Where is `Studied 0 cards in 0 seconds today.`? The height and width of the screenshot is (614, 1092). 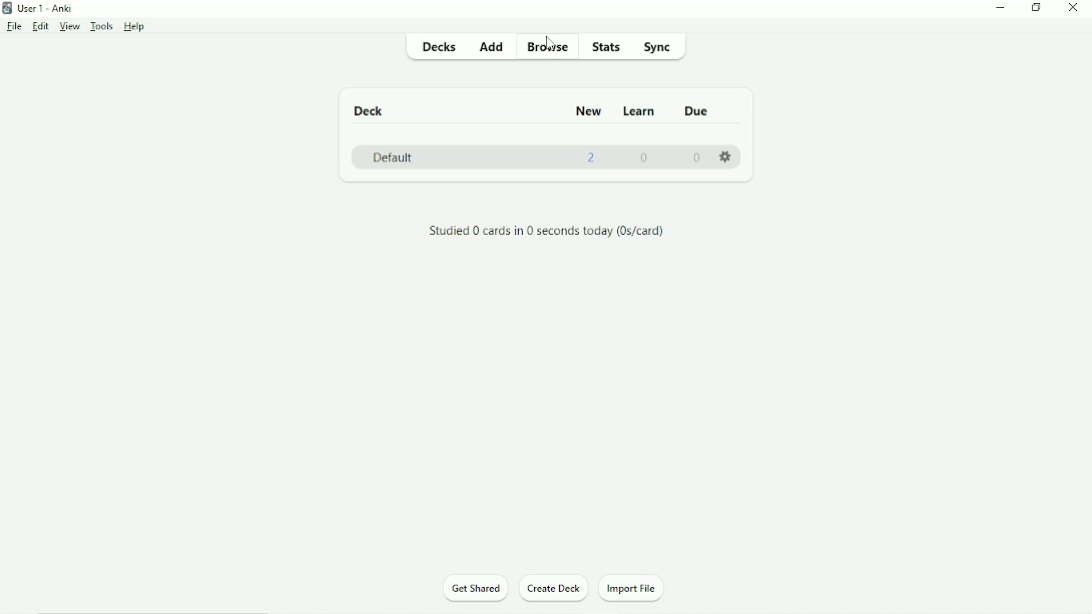 Studied 0 cards in 0 seconds today. is located at coordinates (549, 230).